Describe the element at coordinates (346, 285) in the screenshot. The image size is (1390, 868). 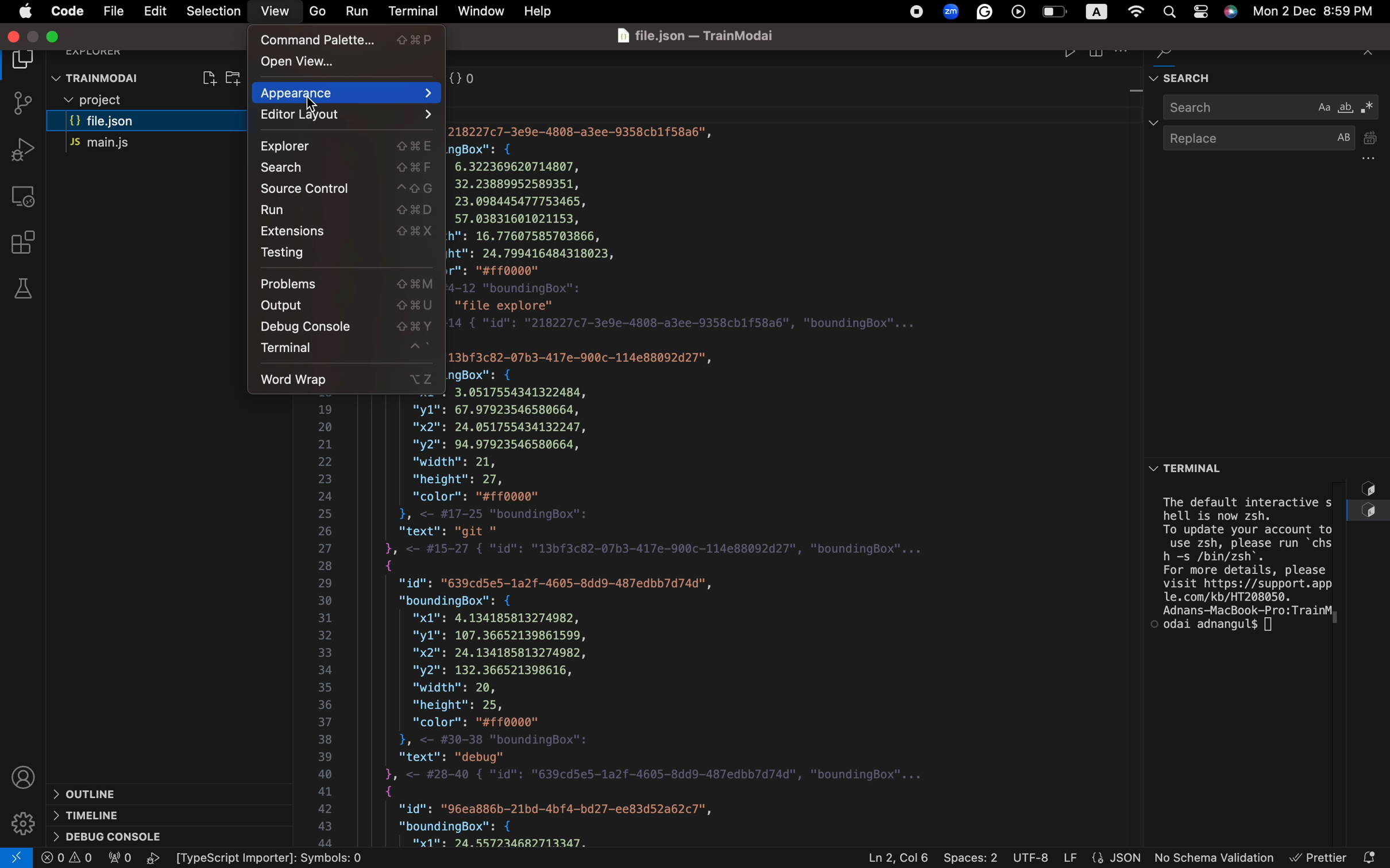
I see `problems` at that location.